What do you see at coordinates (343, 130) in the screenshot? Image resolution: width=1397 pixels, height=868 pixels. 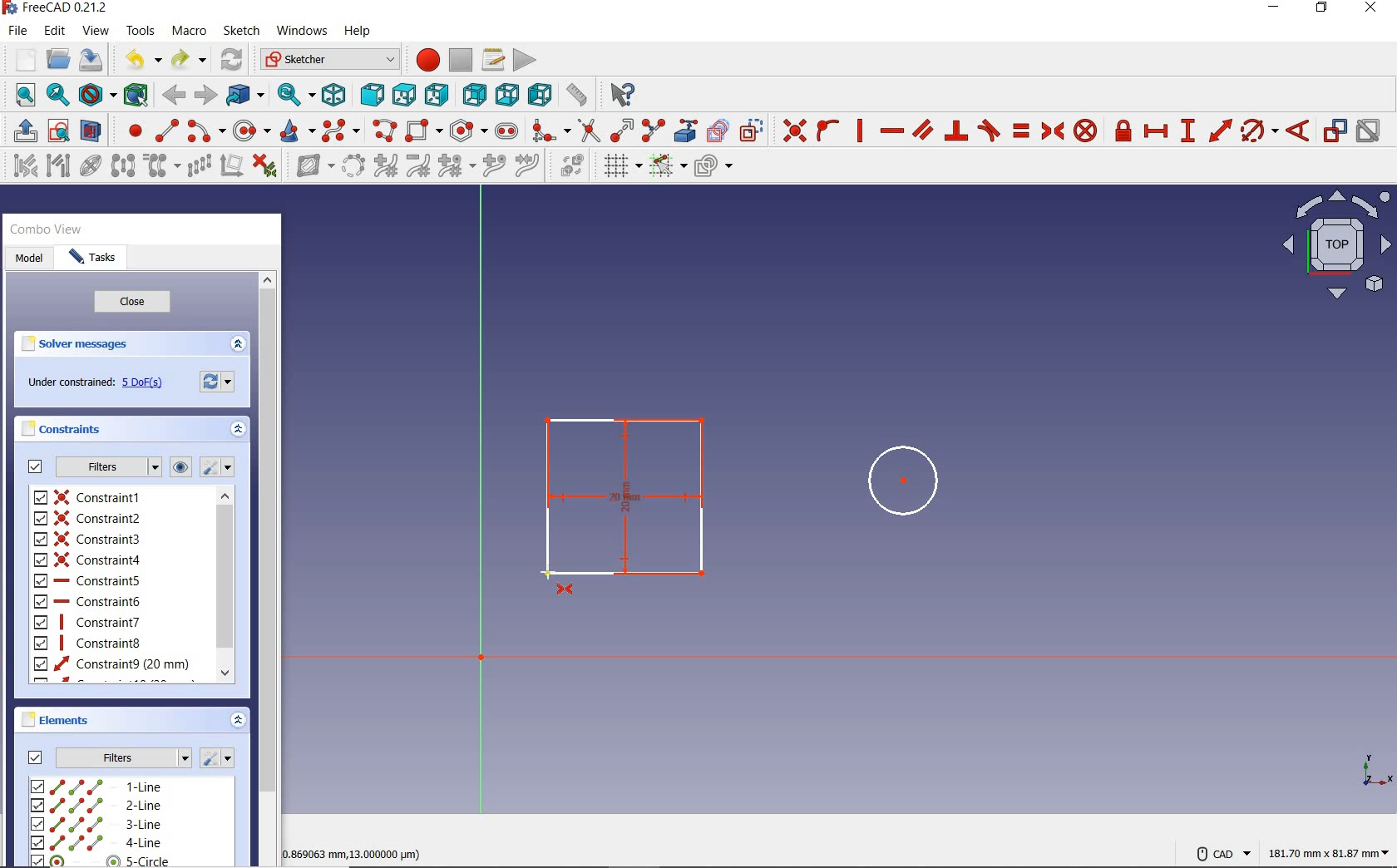 I see `create B-spline` at bounding box center [343, 130].